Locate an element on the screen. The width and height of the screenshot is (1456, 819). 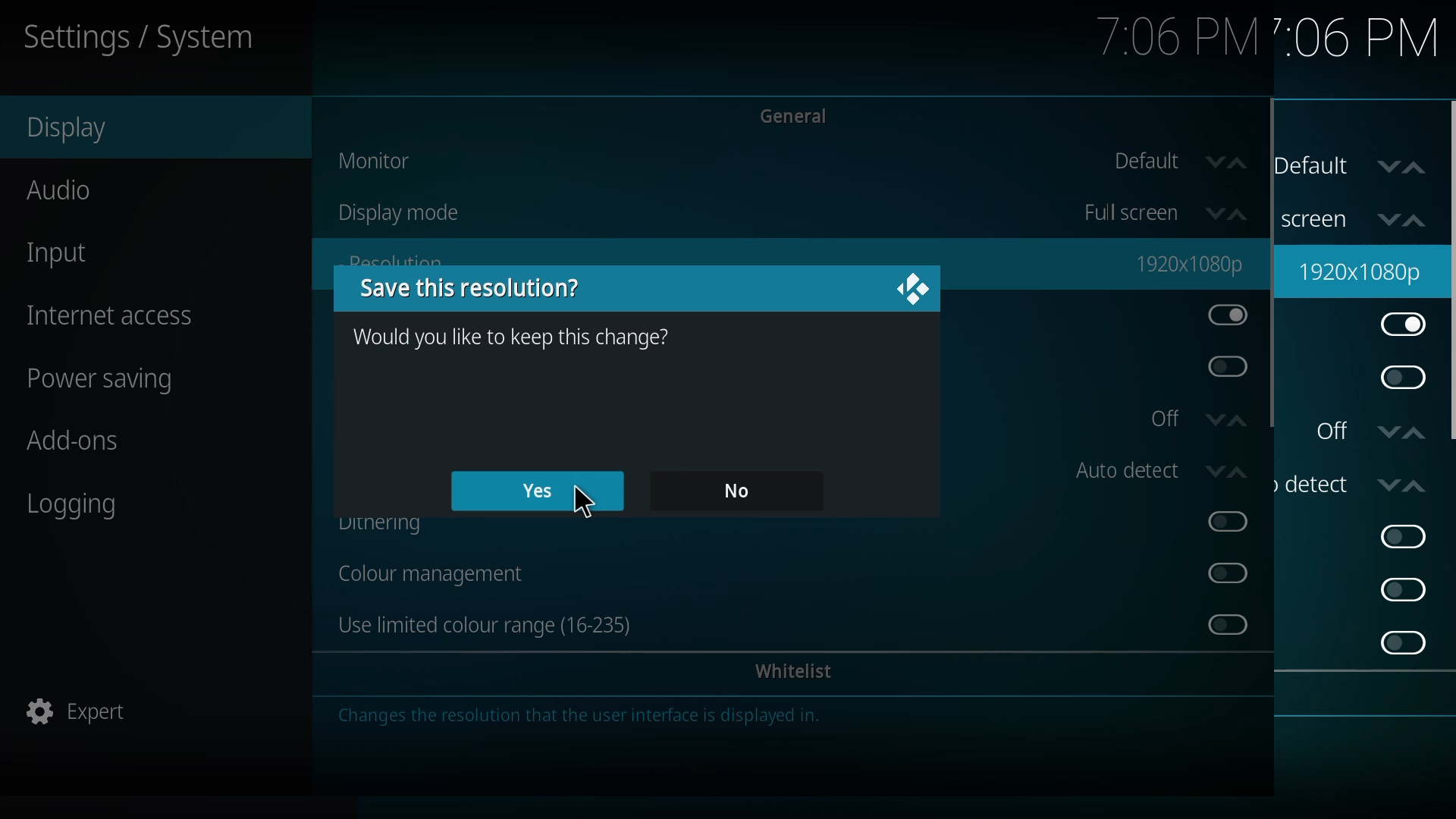
monitor is located at coordinates (380, 161).